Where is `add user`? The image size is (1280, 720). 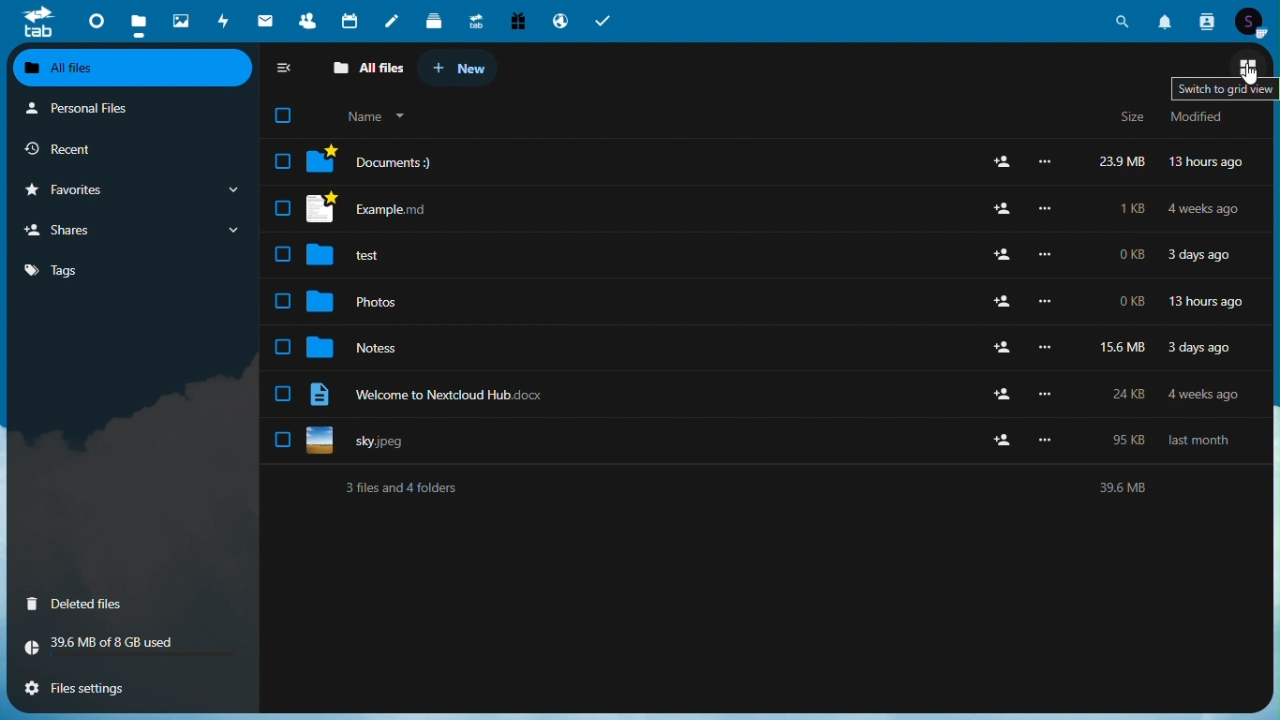
add user is located at coordinates (998, 348).